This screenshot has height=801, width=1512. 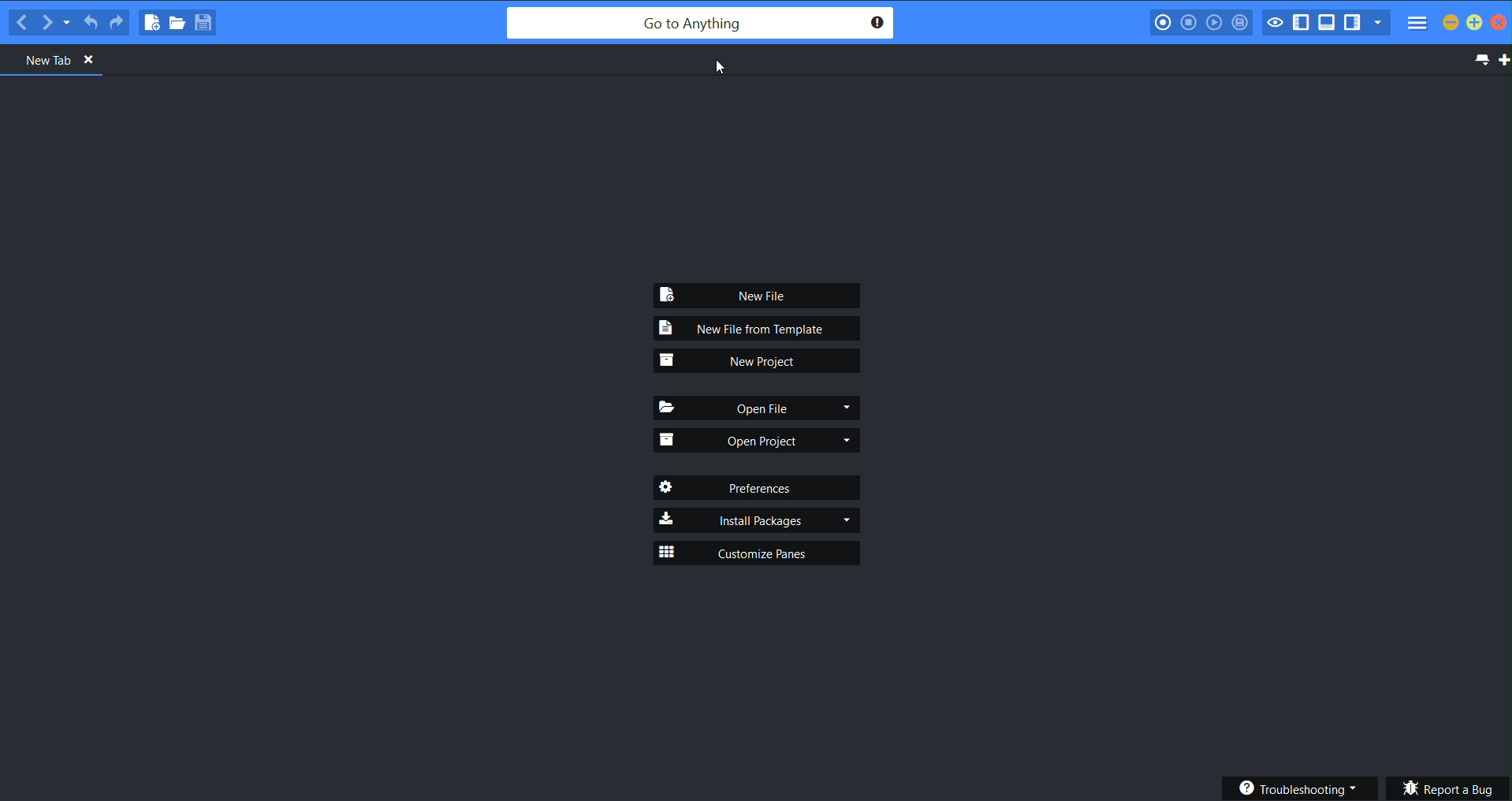 What do you see at coordinates (1475, 23) in the screenshot?
I see `maximize` at bounding box center [1475, 23].